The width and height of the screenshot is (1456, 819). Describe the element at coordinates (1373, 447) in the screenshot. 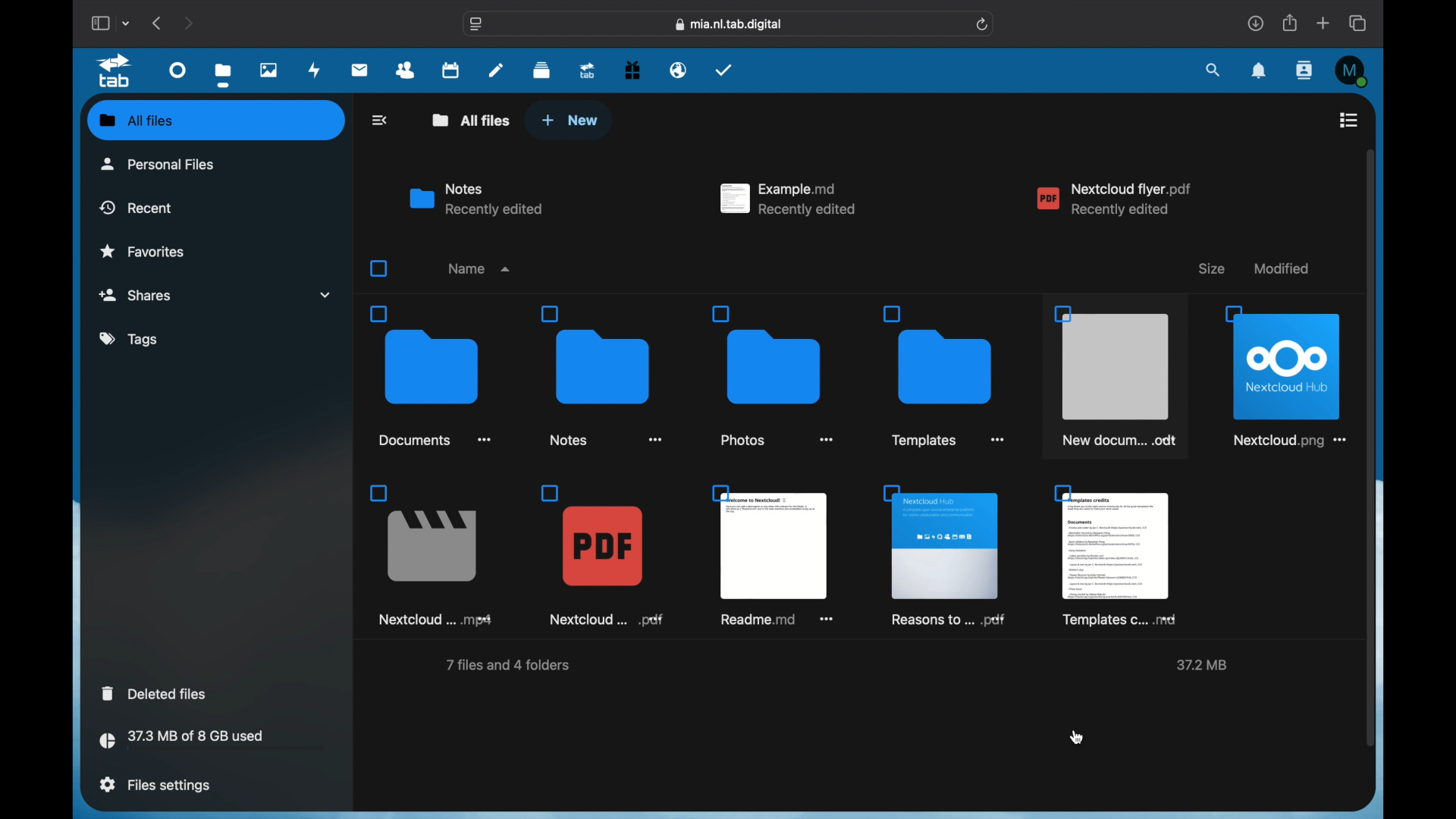

I see `scroll box` at that location.